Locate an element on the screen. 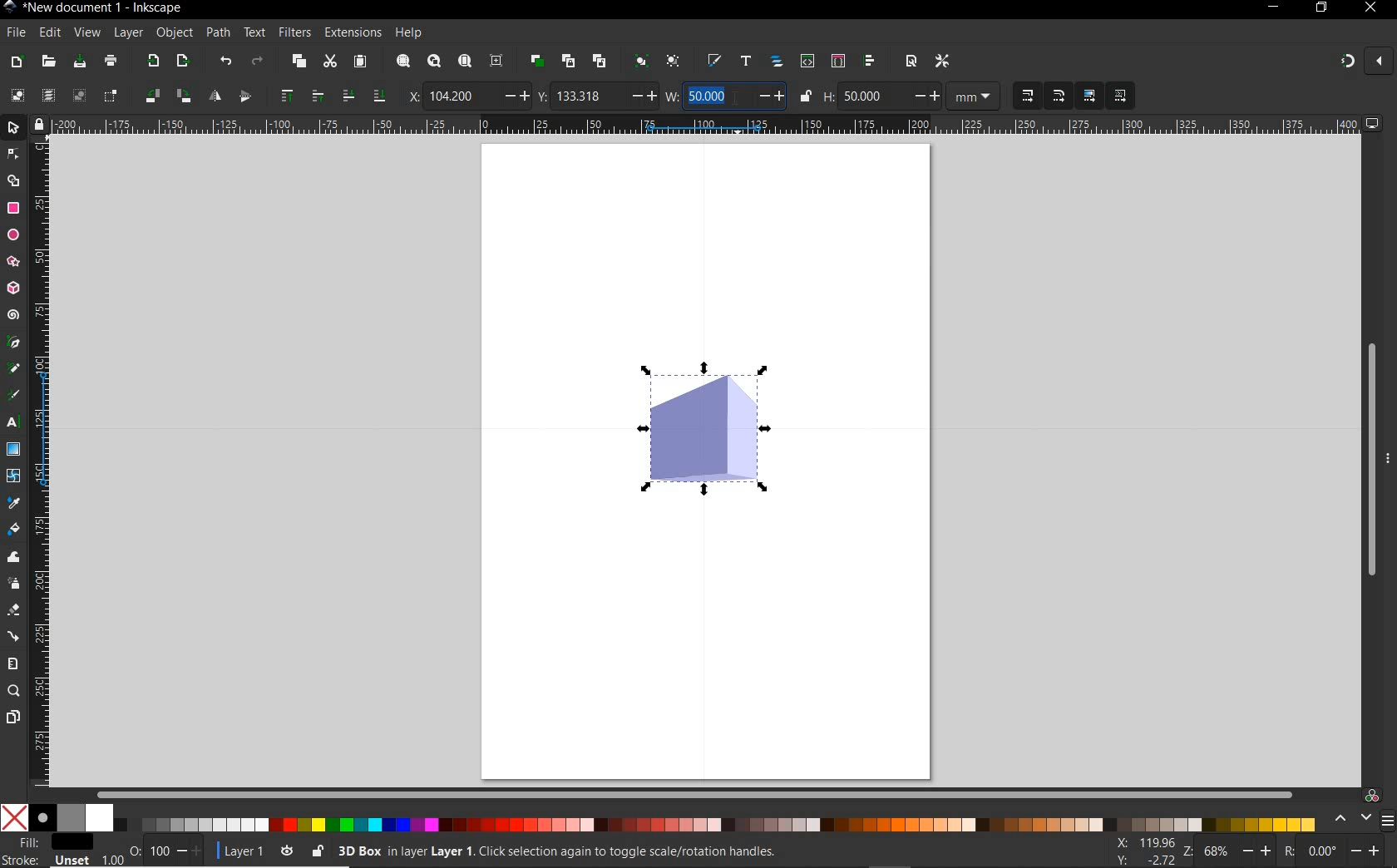  ungroup is located at coordinates (675, 62).